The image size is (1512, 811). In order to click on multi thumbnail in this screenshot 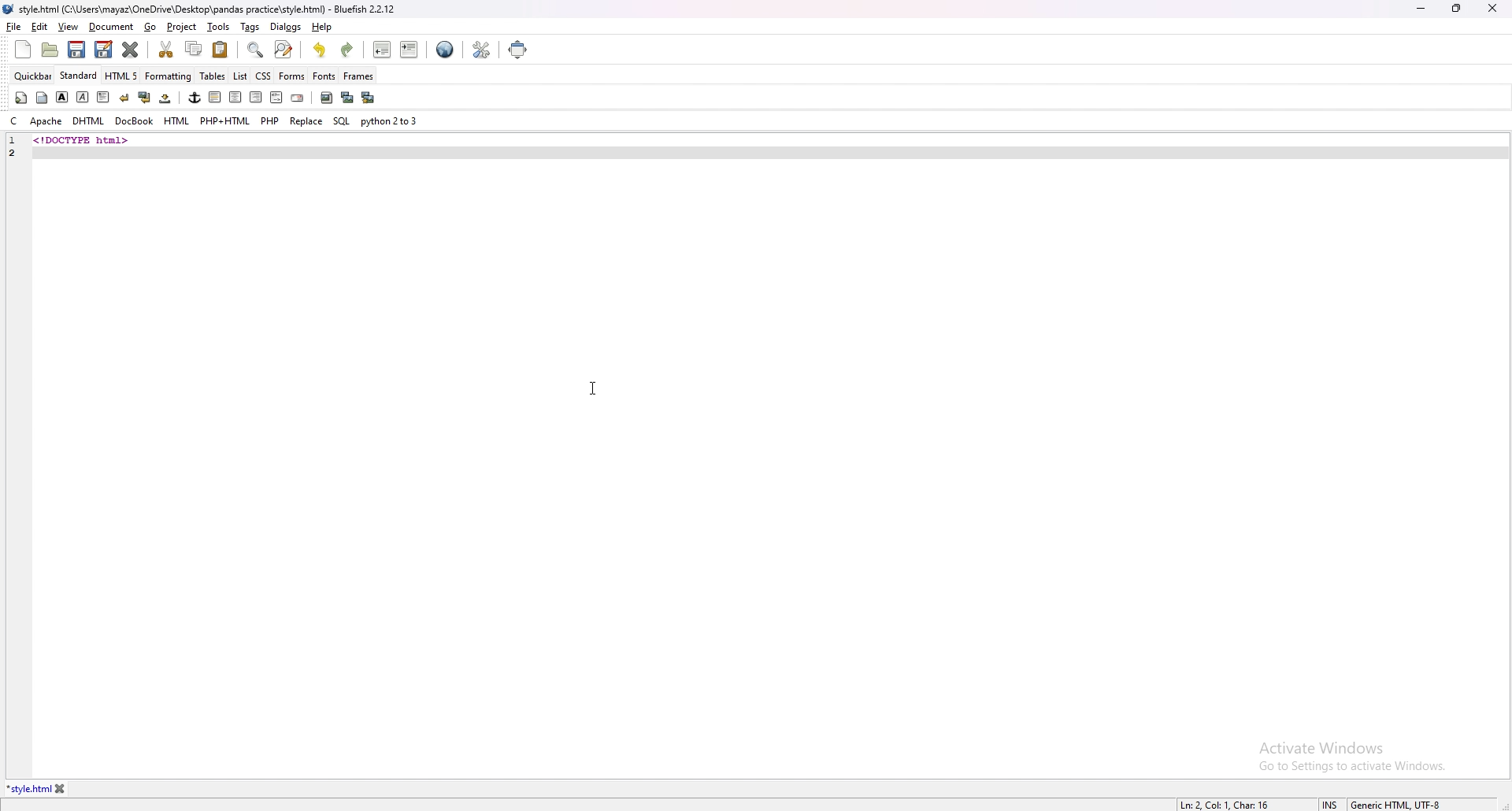, I will do `click(367, 97)`.